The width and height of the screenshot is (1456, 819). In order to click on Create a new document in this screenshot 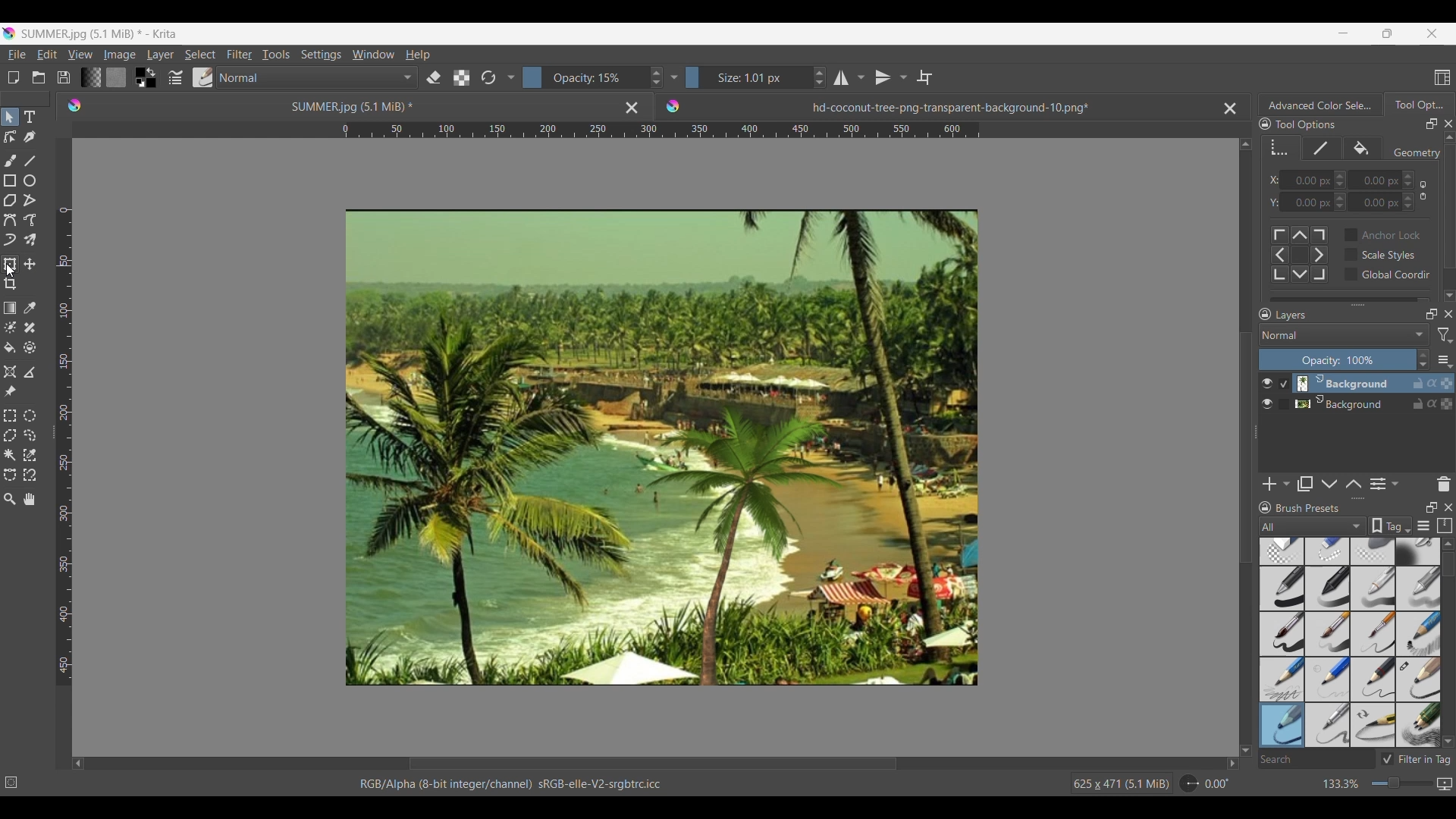, I will do `click(13, 77)`.